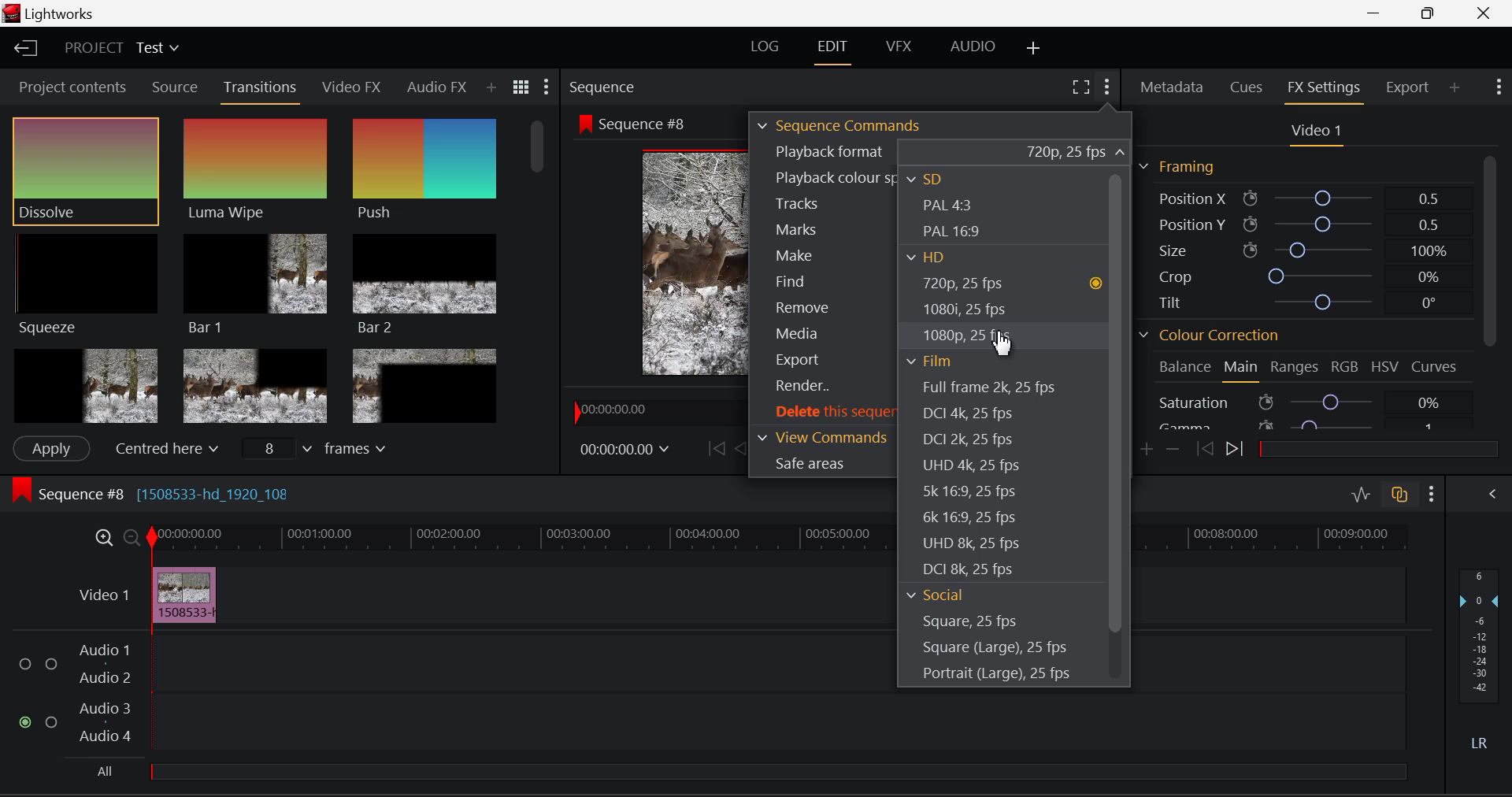 The height and width of the screenshot is (797, 1512). I want to click on 6k 16:9, so click(969, 517).